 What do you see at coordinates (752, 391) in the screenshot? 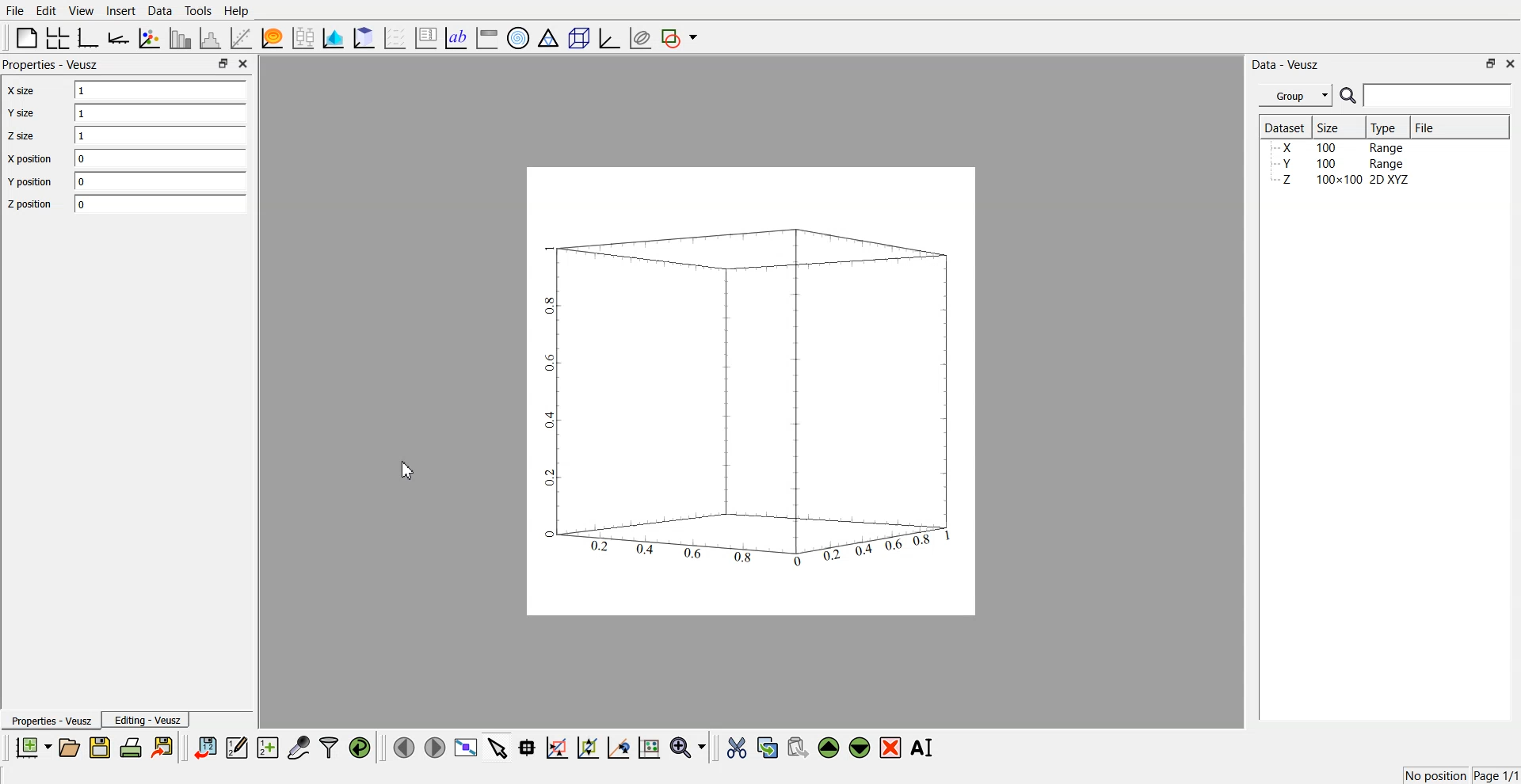
I see `Preview window` at bounding box center [752, 391].